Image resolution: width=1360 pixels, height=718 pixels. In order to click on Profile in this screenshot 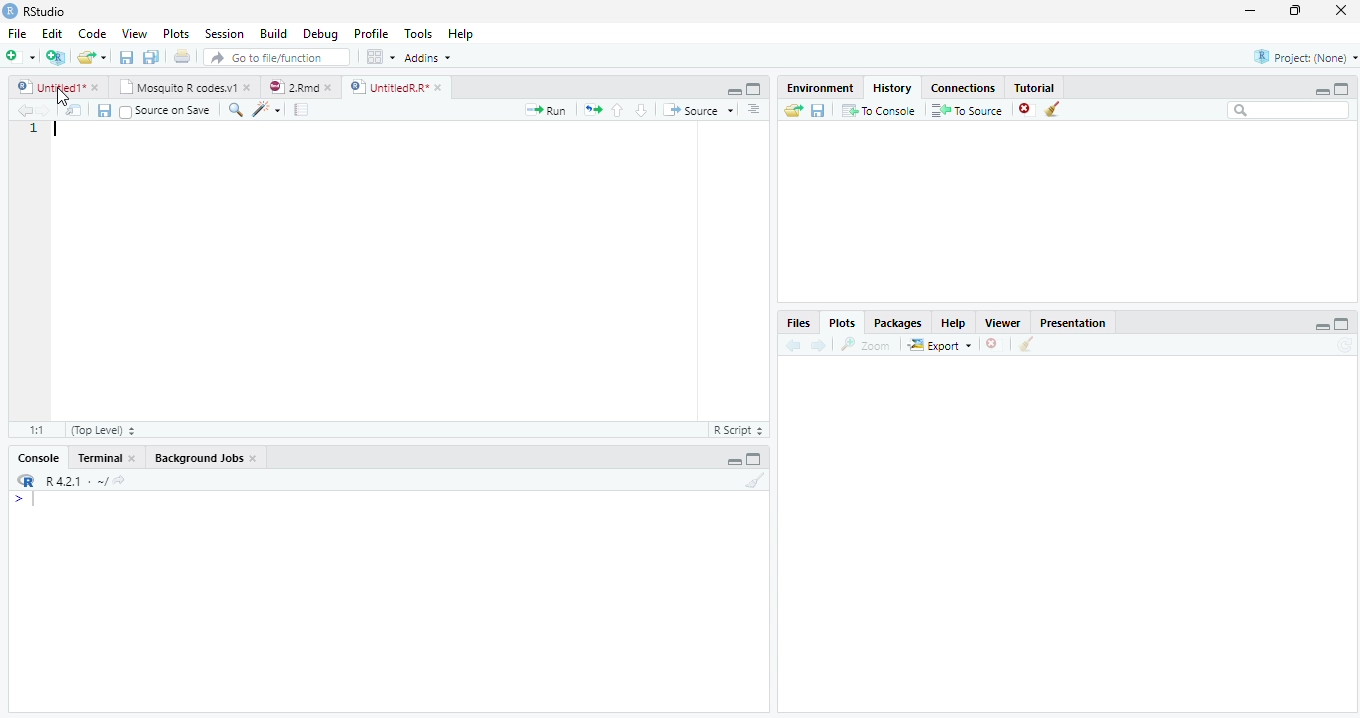, I will do `click(371, 34)`.